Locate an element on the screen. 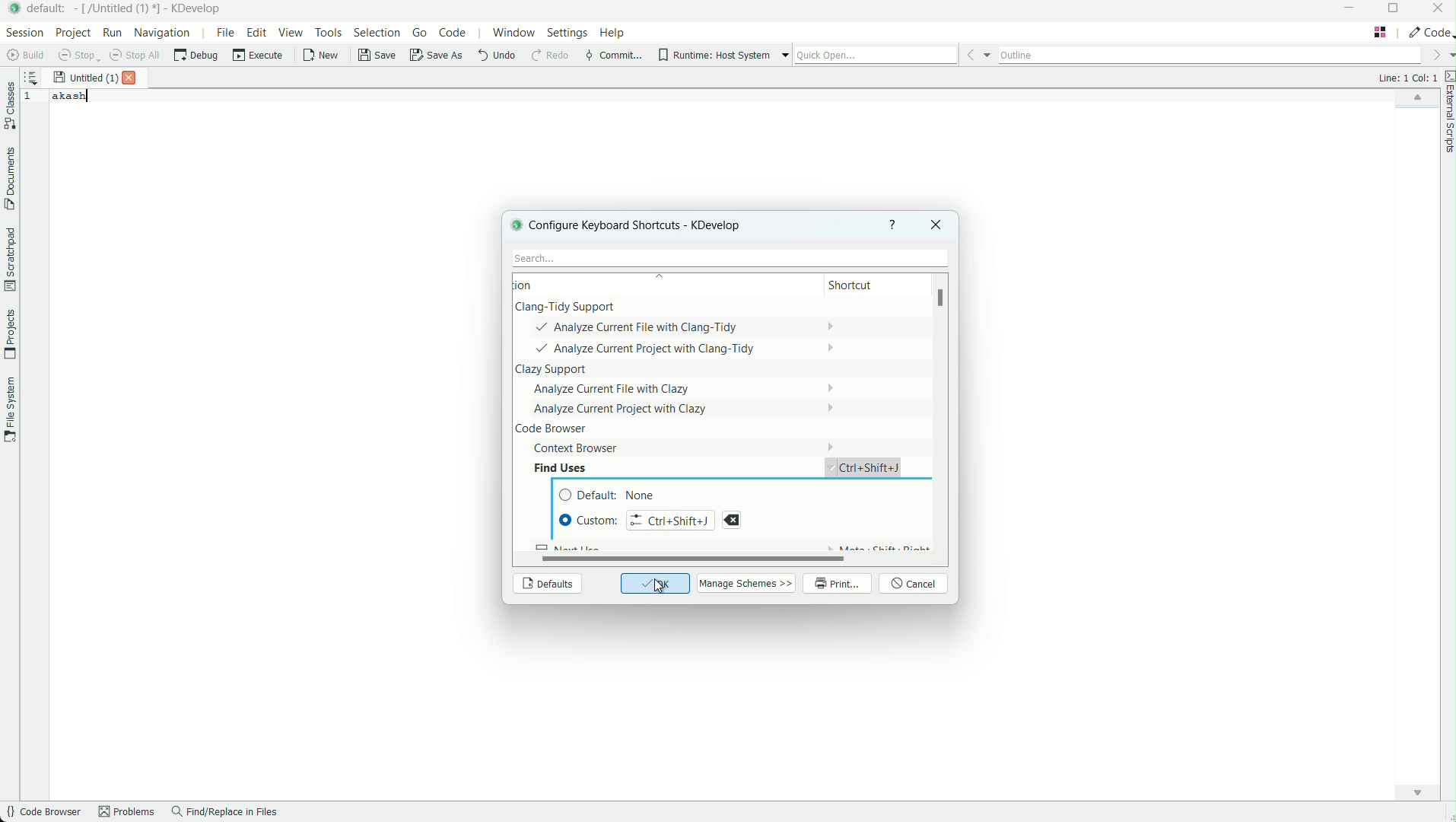 The image size is (1456, 822). session menu is located at coordinates (23, 32).